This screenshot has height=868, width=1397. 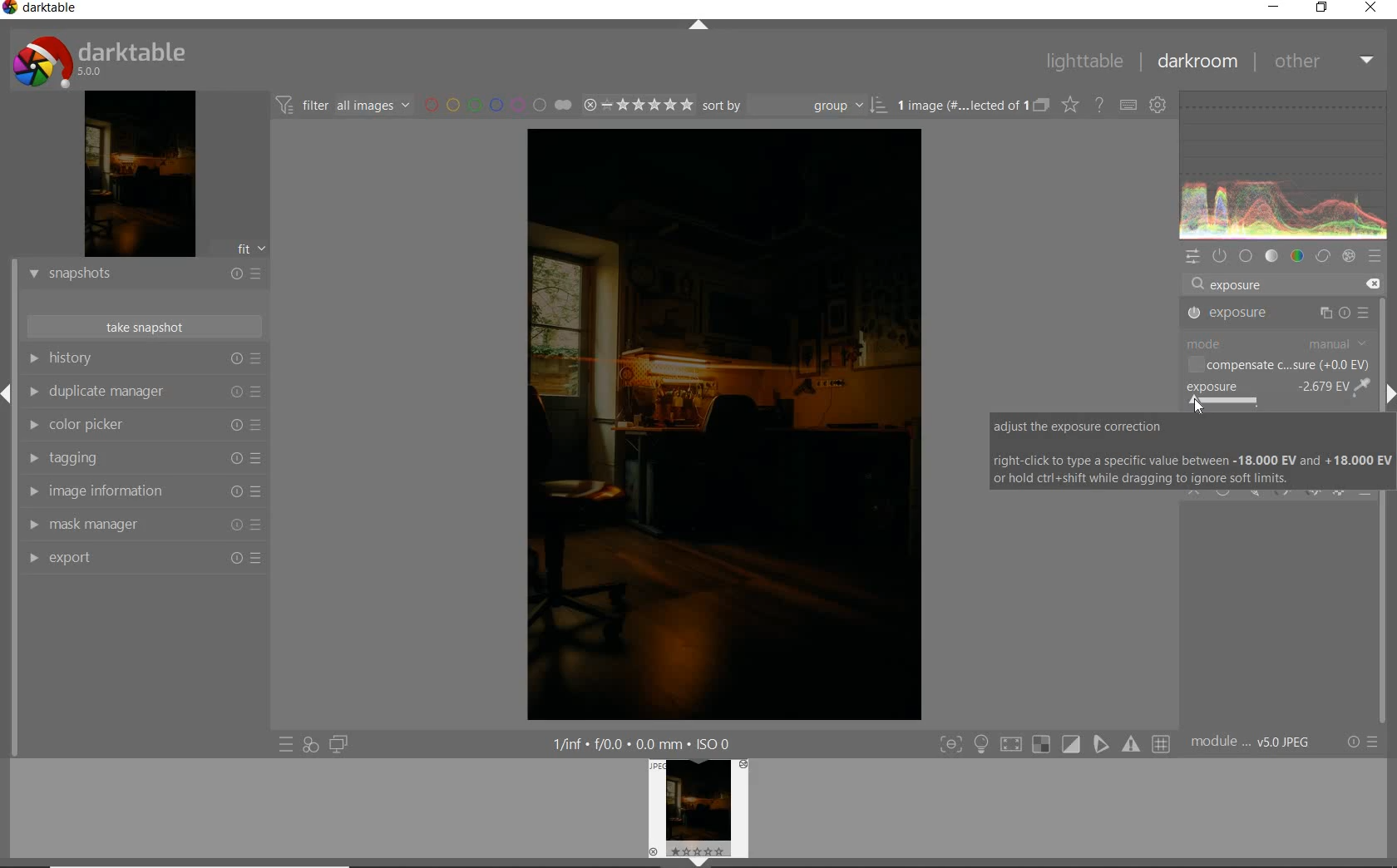 I want to click on snapshots, so click(x=142, y=274).